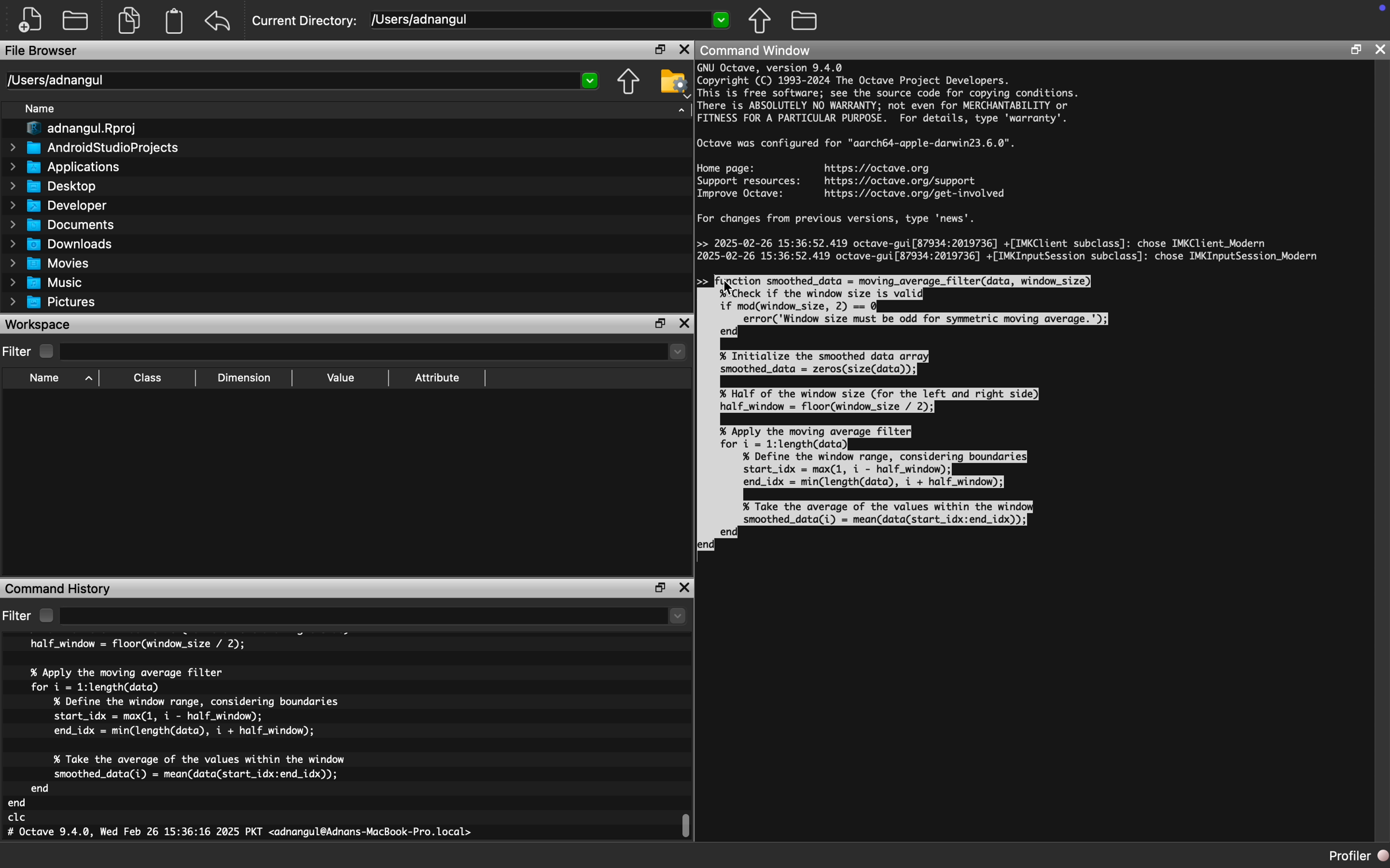 The image size is (1390, 868). I want to click on Scroll, so click(690, 823).